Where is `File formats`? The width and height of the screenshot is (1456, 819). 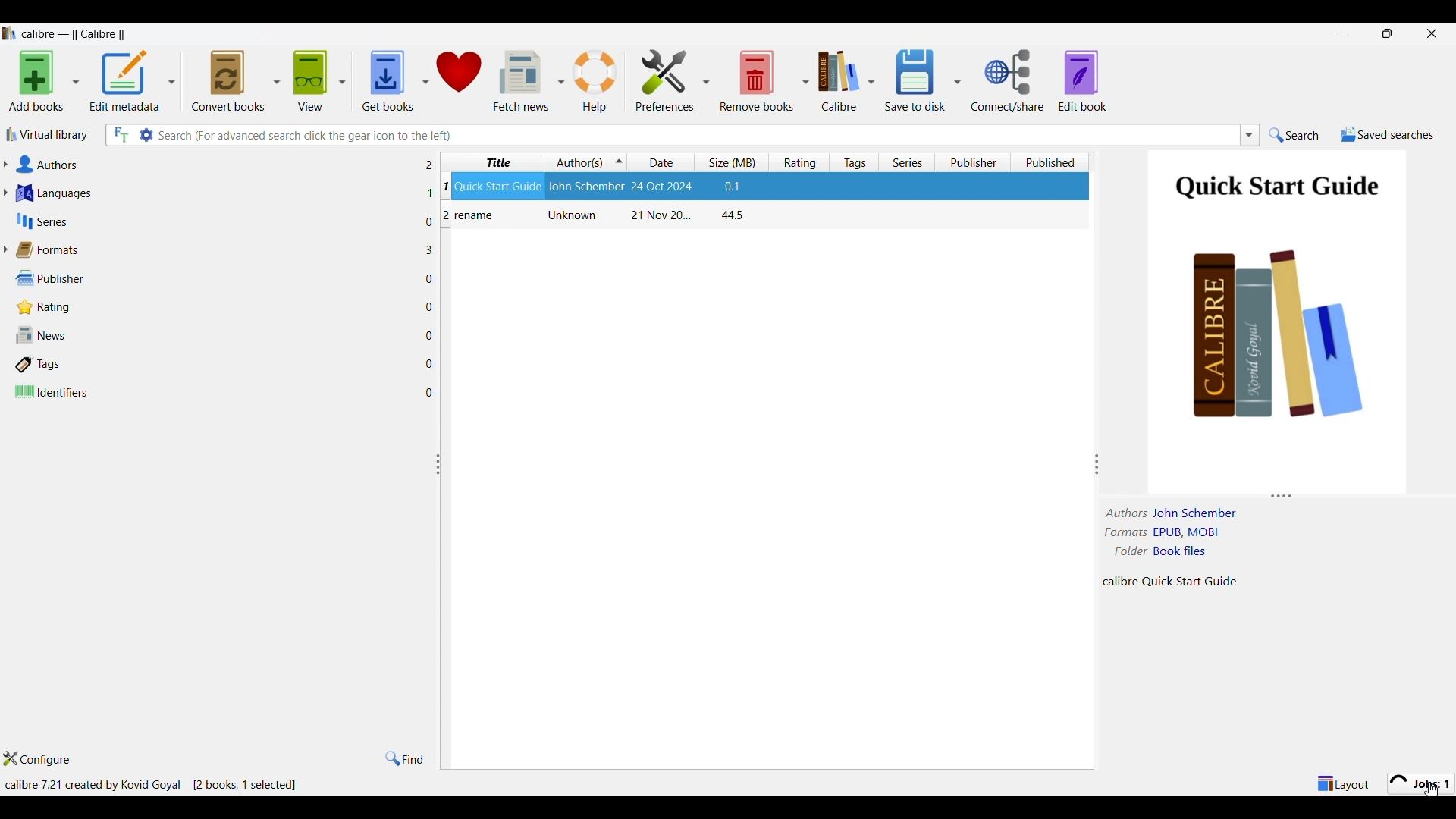 File formats is located at coordinates (1188, 532).